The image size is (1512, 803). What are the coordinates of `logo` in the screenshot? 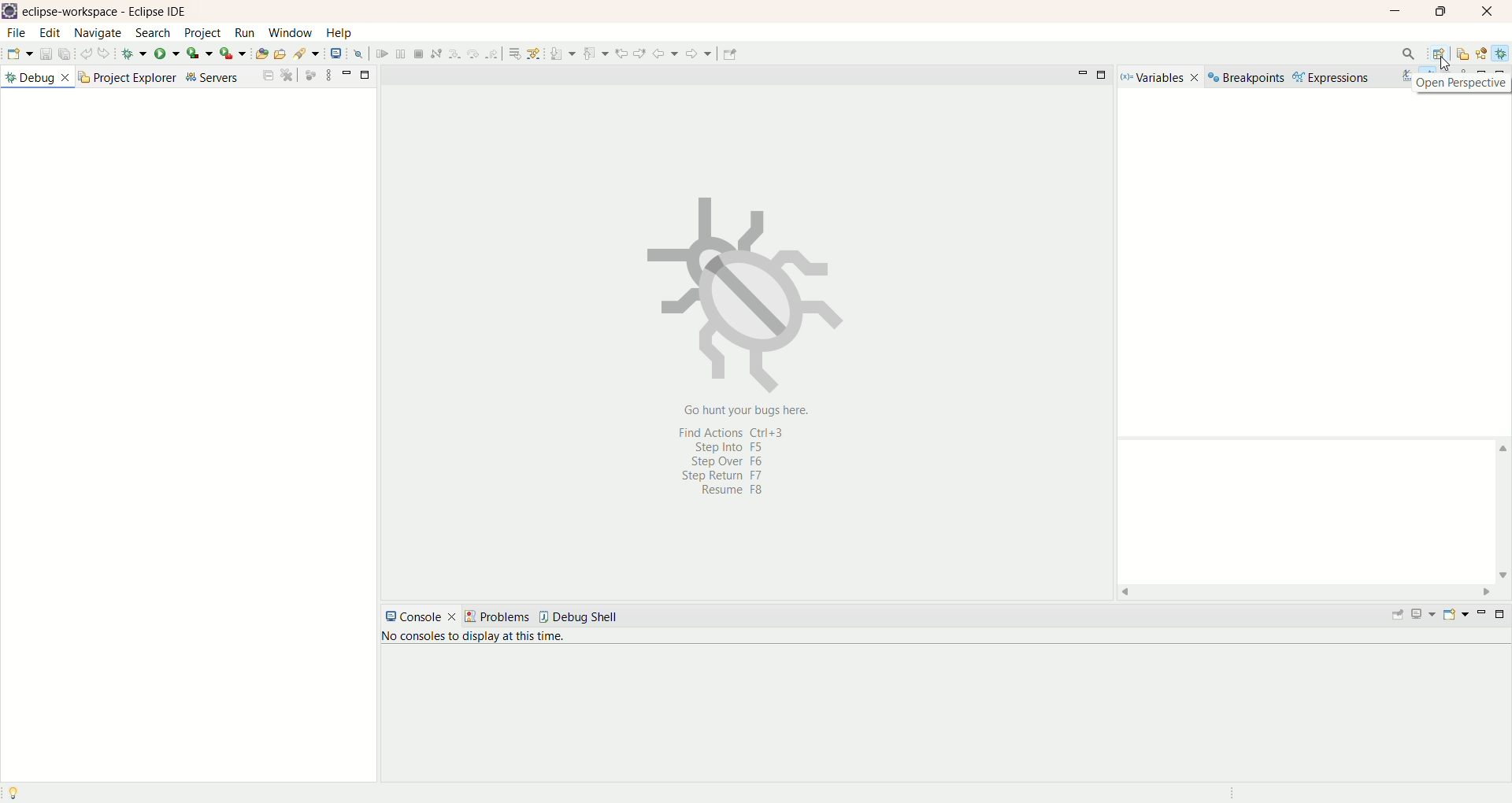 It's located at (10, 12).